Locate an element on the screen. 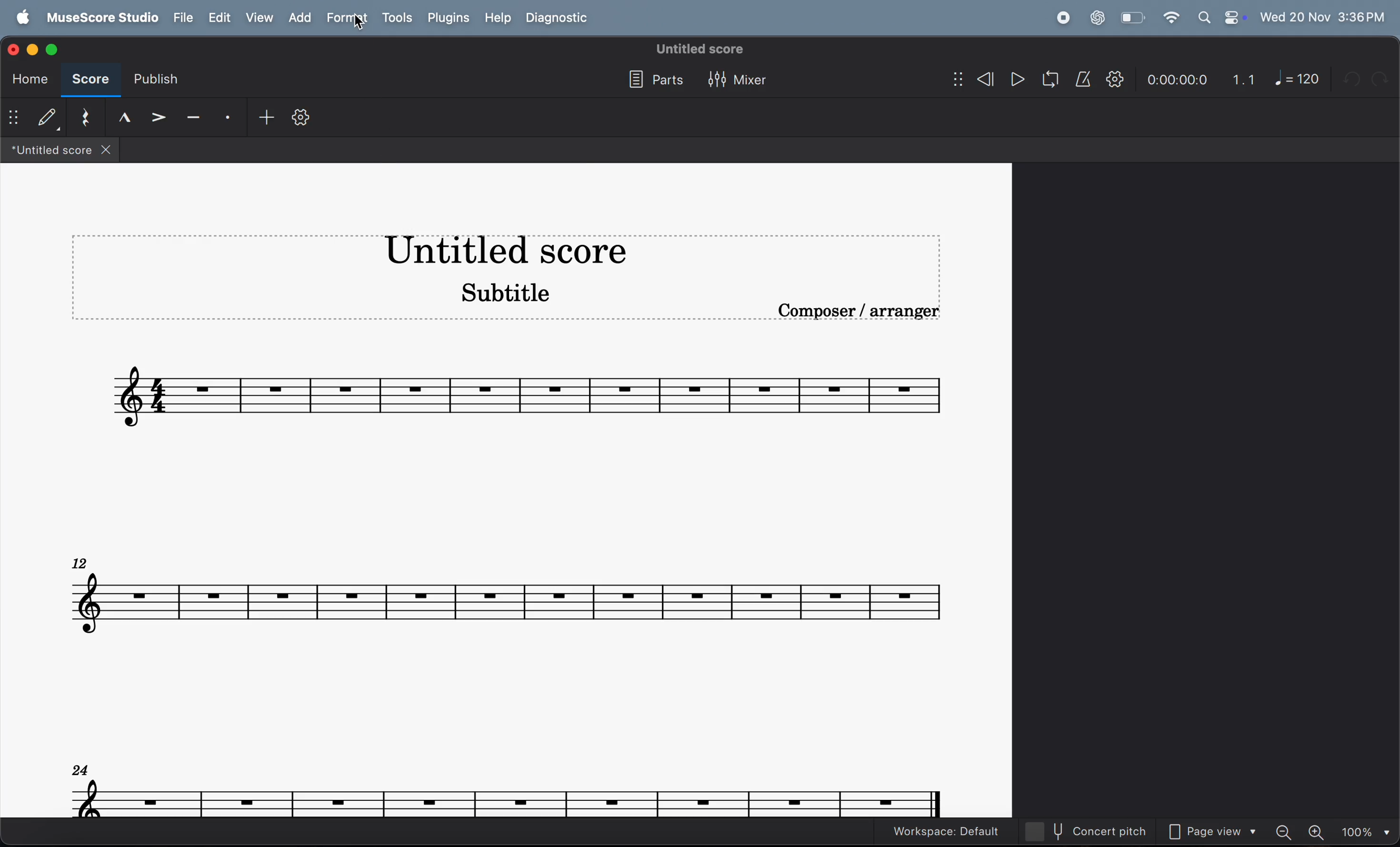 The image size is (1400, 847). note 120 is located at coordinates (1298, 78).